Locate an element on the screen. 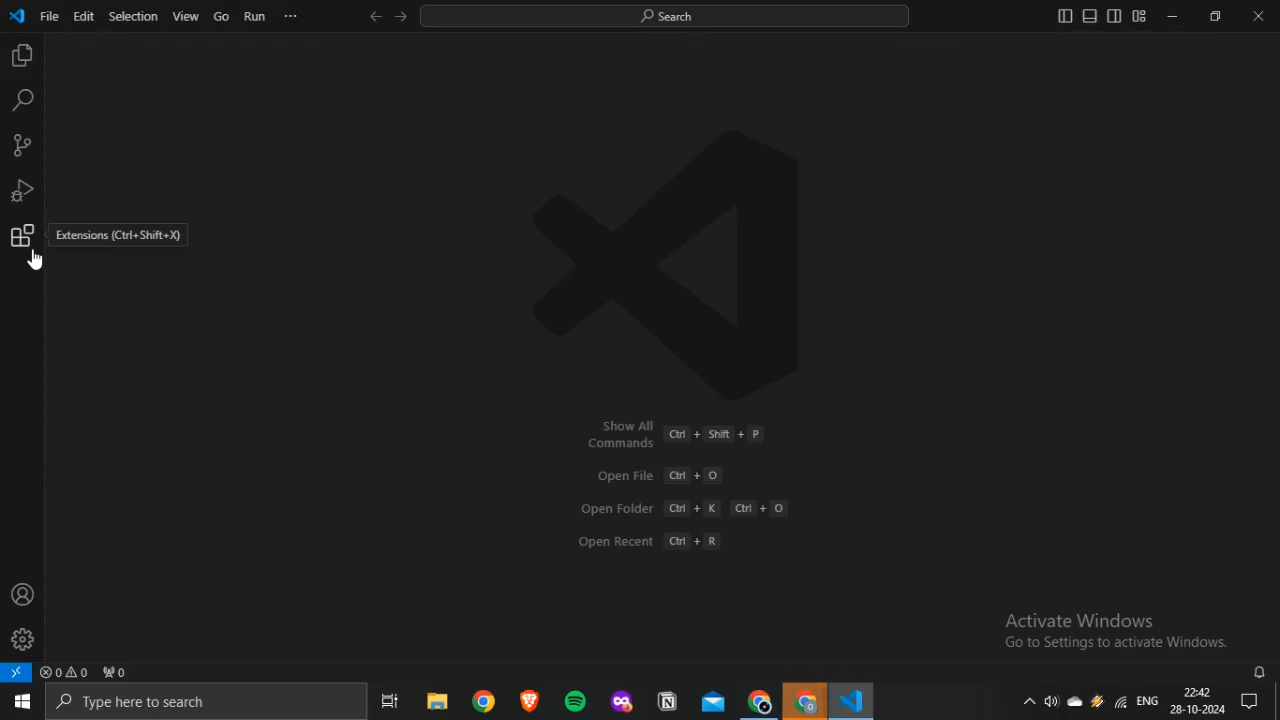 The height and width of the screenshot is (720, 1280). Open Folder Ctrl + K Ctrl + O is located at coordinates (683, 508).